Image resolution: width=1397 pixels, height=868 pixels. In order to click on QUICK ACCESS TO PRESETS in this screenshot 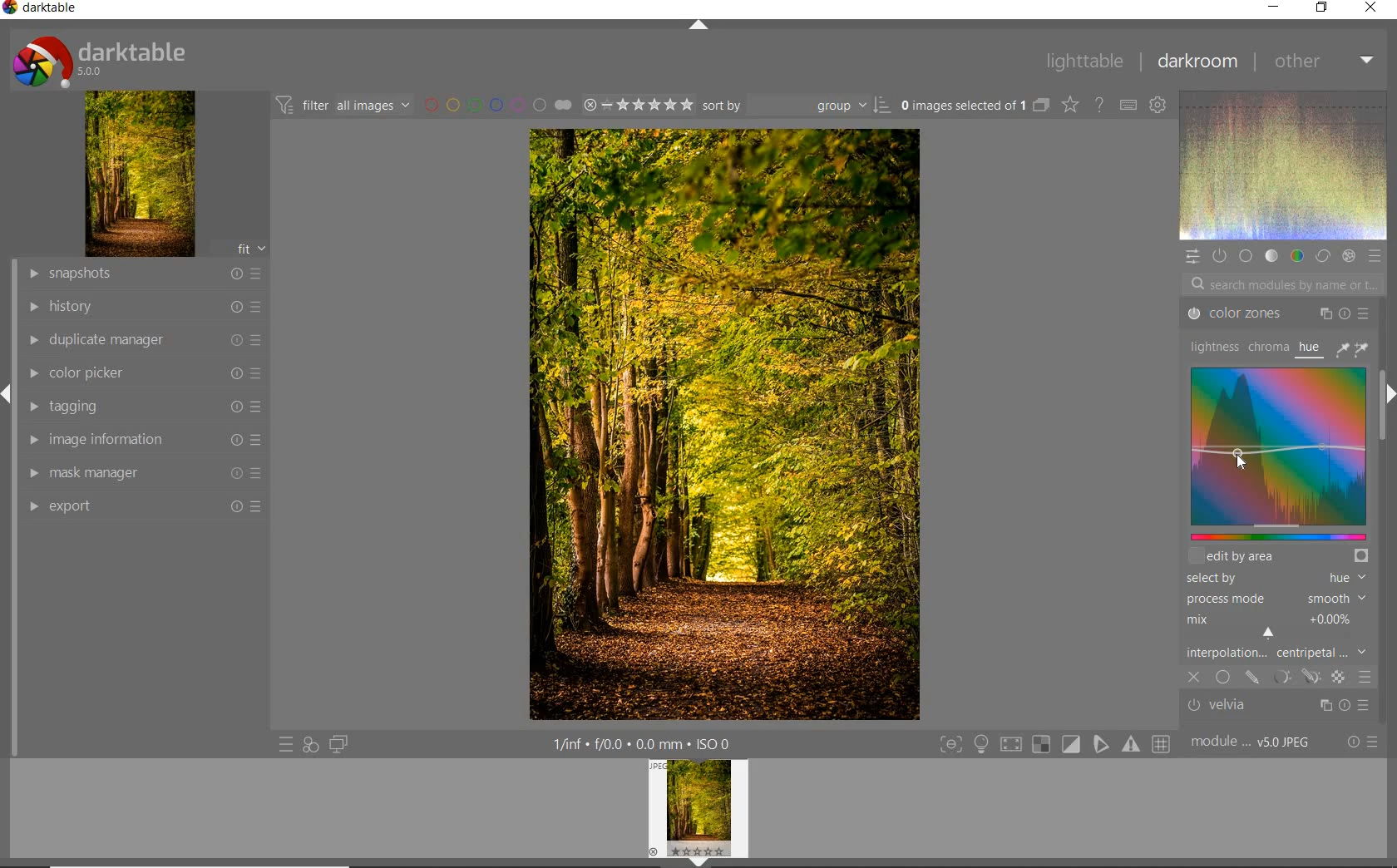, I will do `click(285, 743)`.